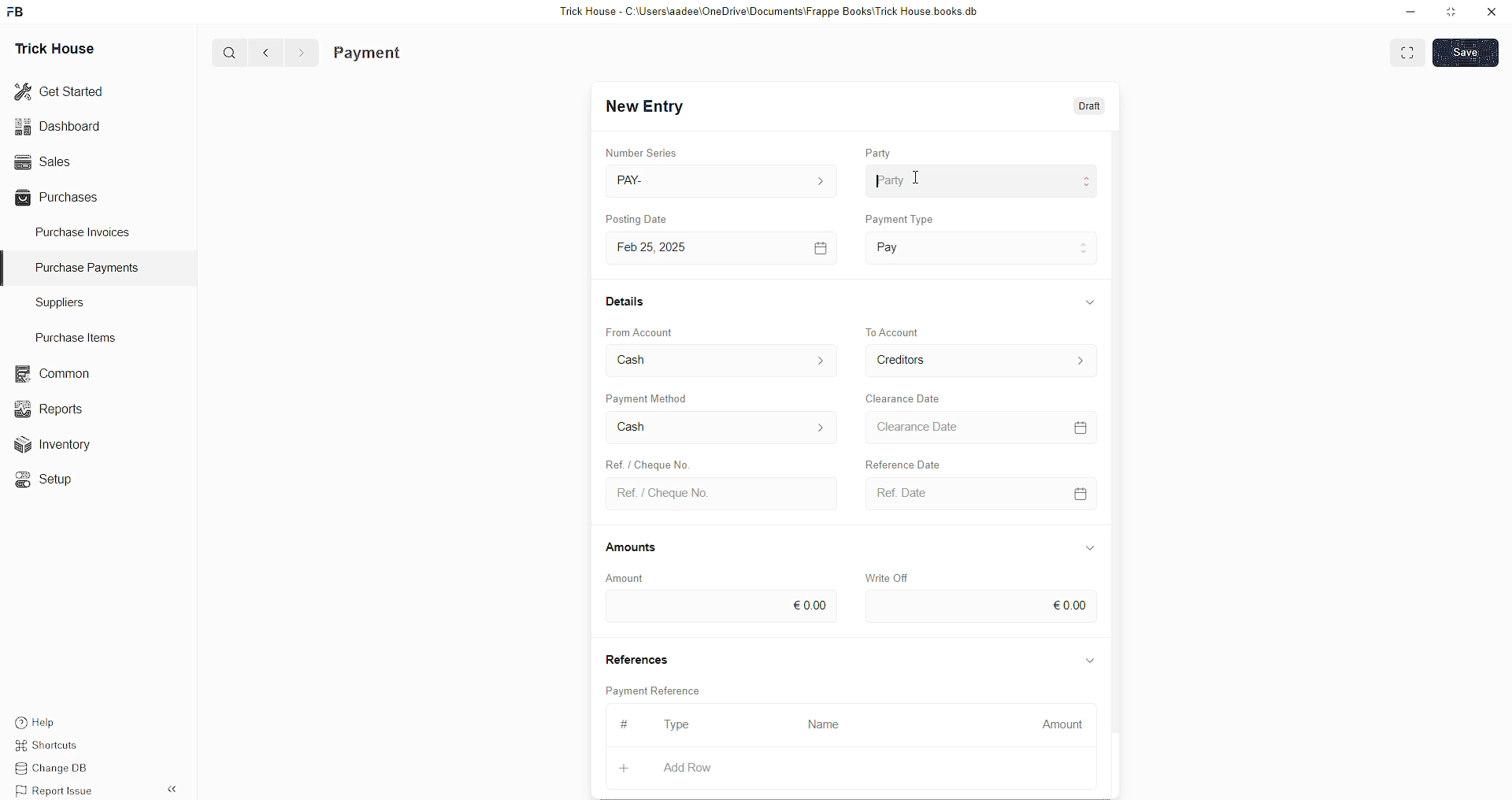 This screenshot has height=800, width=1512. I want to click on Number Series, so click(645, 150).